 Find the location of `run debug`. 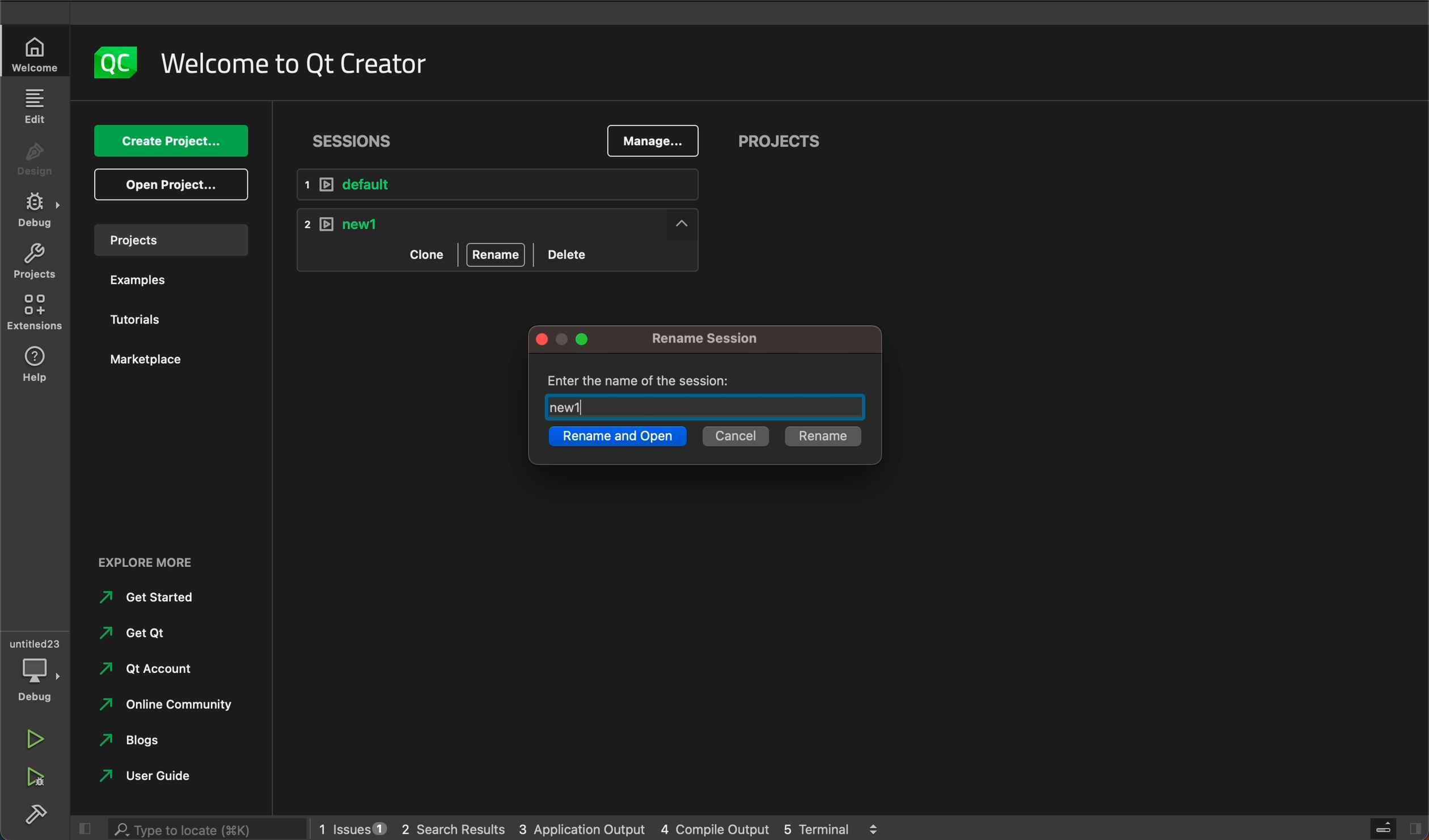

run debug is located at coordinates (32, 776).